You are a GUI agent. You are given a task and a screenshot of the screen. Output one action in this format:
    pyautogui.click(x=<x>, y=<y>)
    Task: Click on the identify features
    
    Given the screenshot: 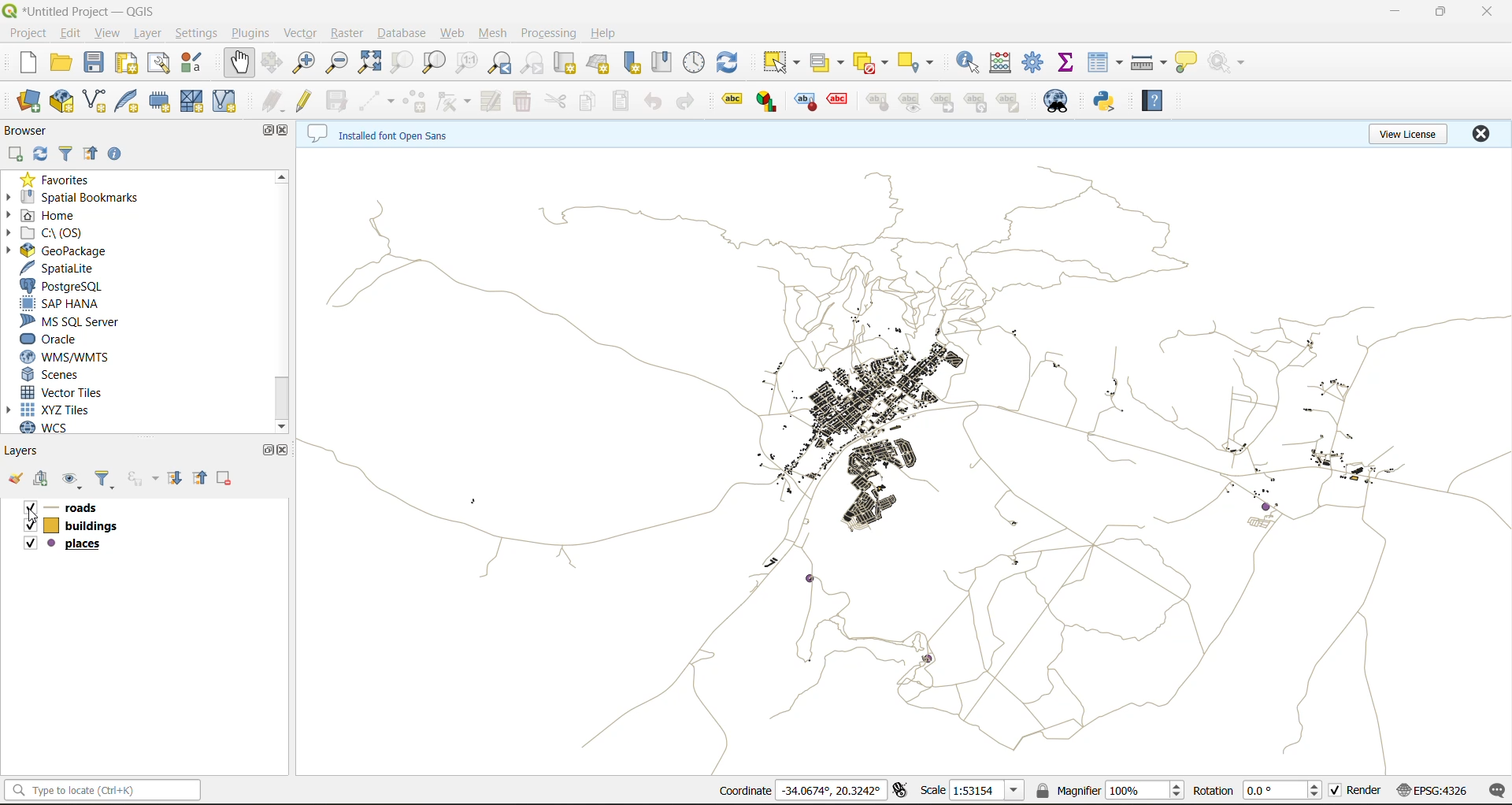 What is the action you would take?
    pyautogui.click(x=973, y=61)
    